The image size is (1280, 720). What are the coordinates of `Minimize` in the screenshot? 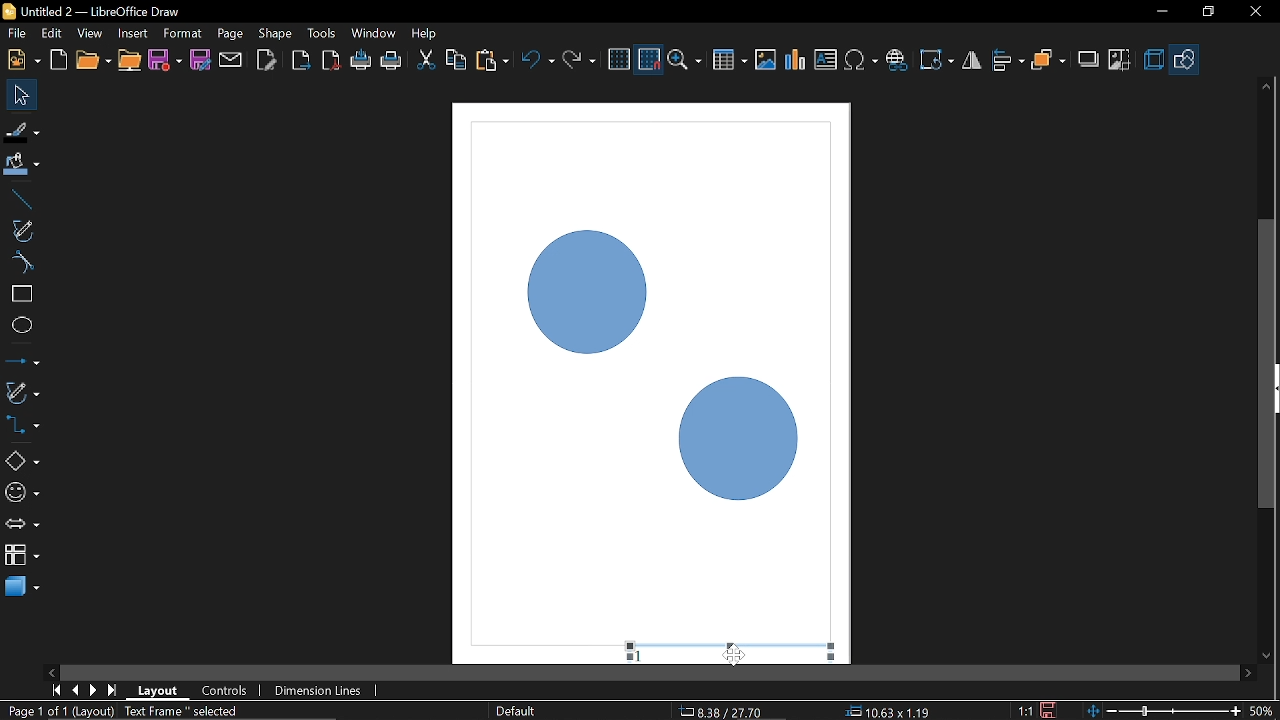 It's located at (1159, 13).